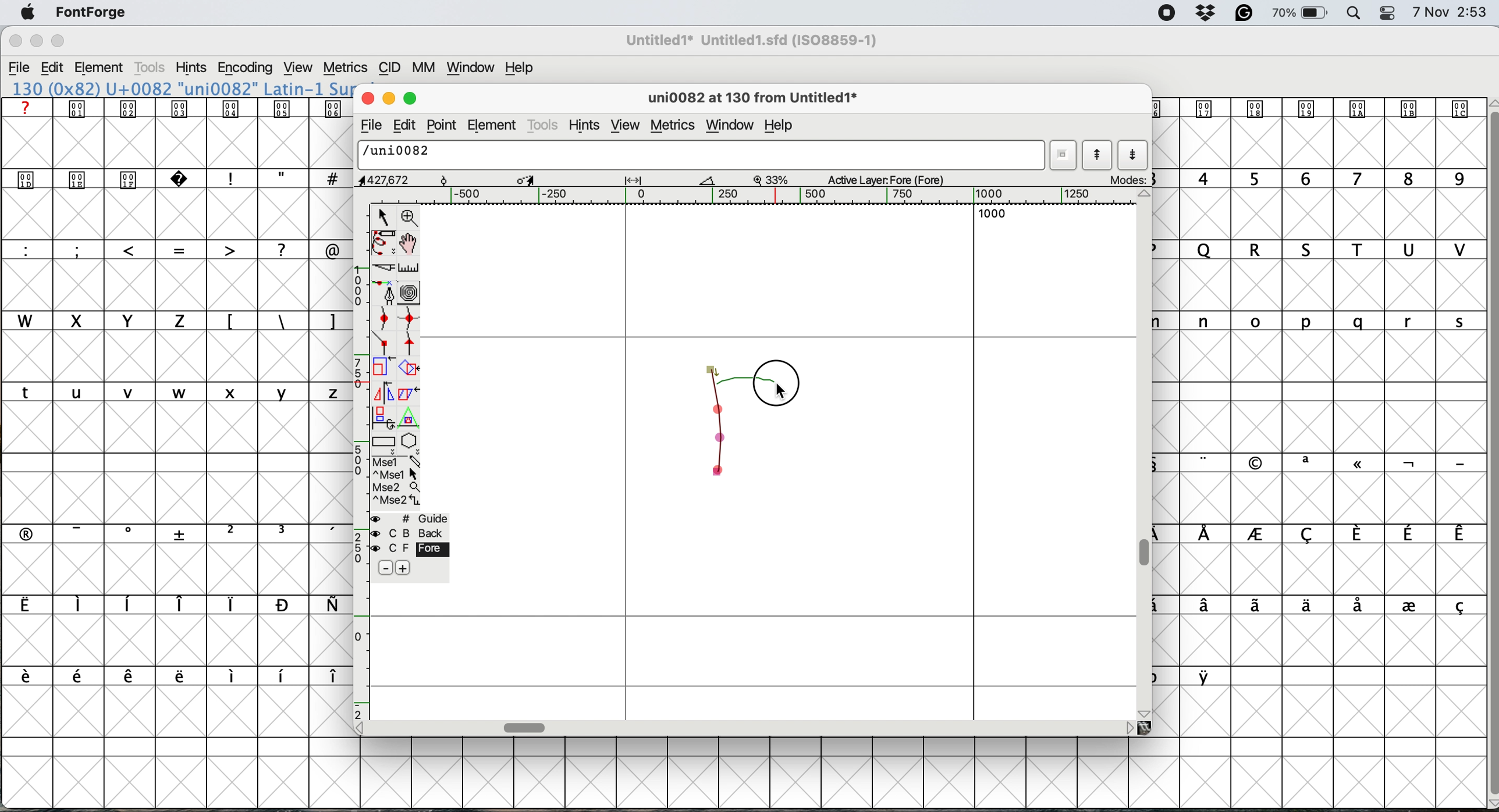 This screenshot has height=812, width=1499. What do you see at coordinates (386, 320) in the screenshot?
I see `add a curve point` at bounding box center [386, 320].